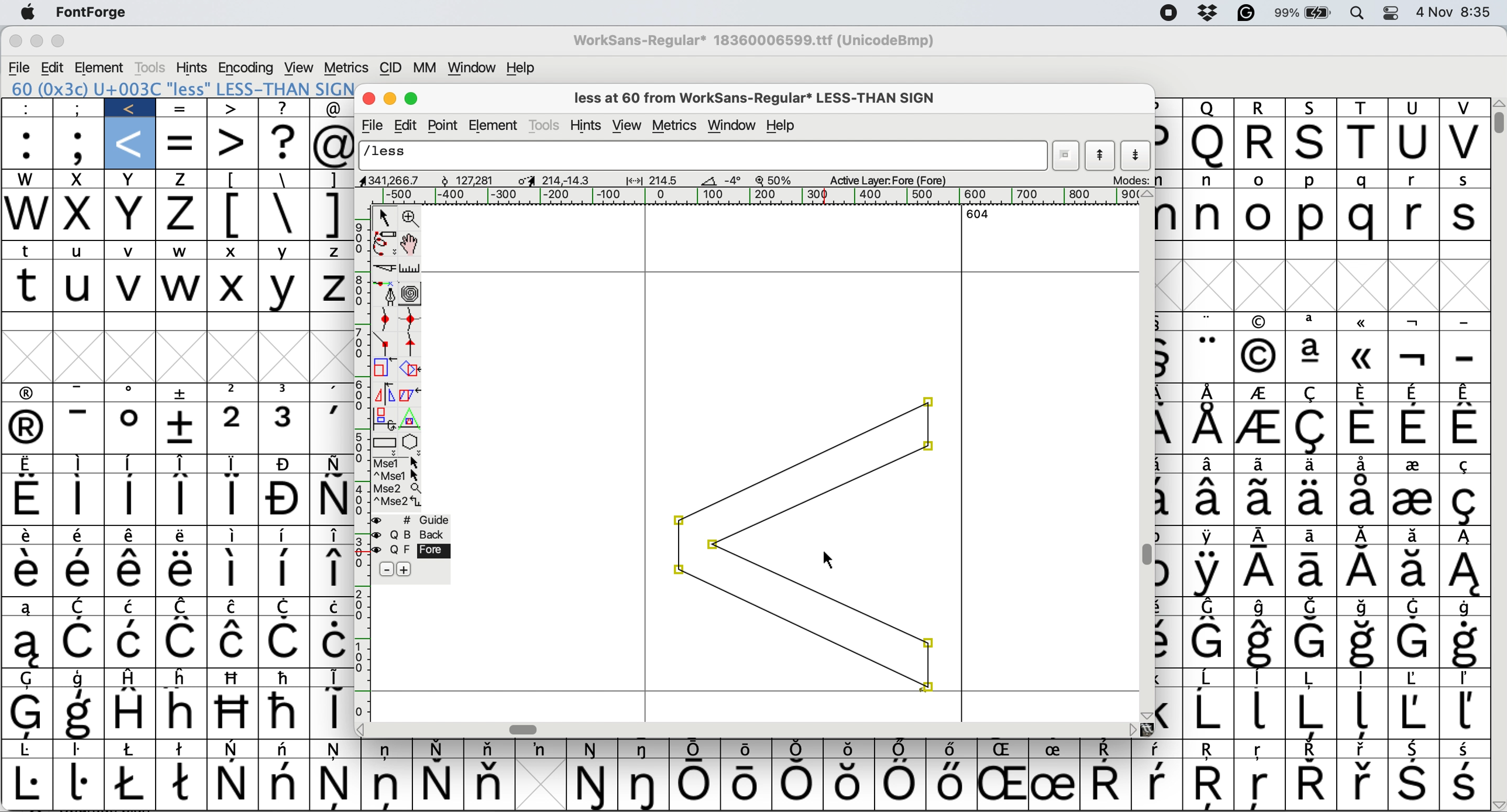  What do you see at coordinates (330, 641) in the screenshot?
I see `Symbol` at bounding box center [330, 641].